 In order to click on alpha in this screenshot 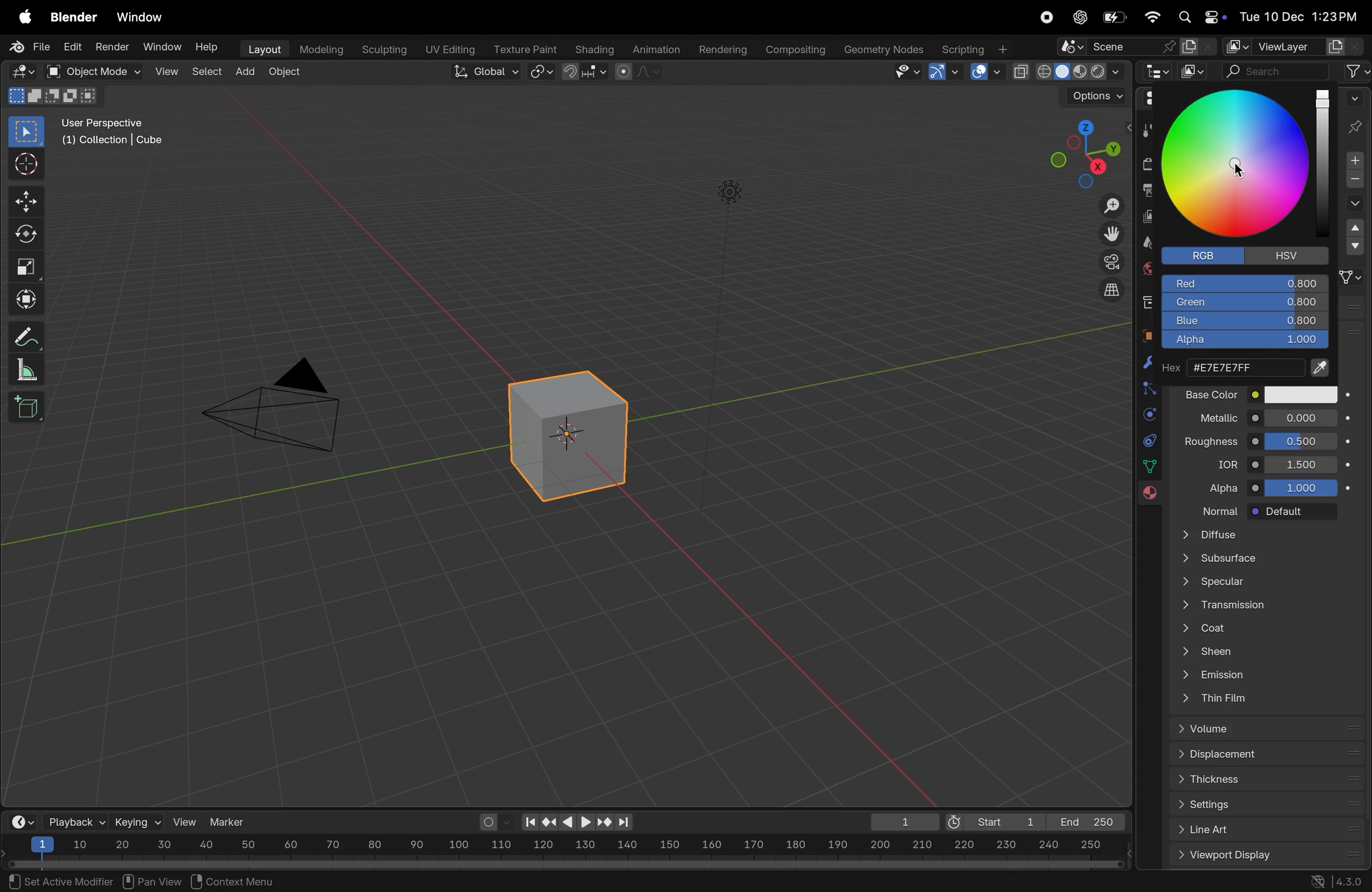, I will do `click(1242, 343)`.